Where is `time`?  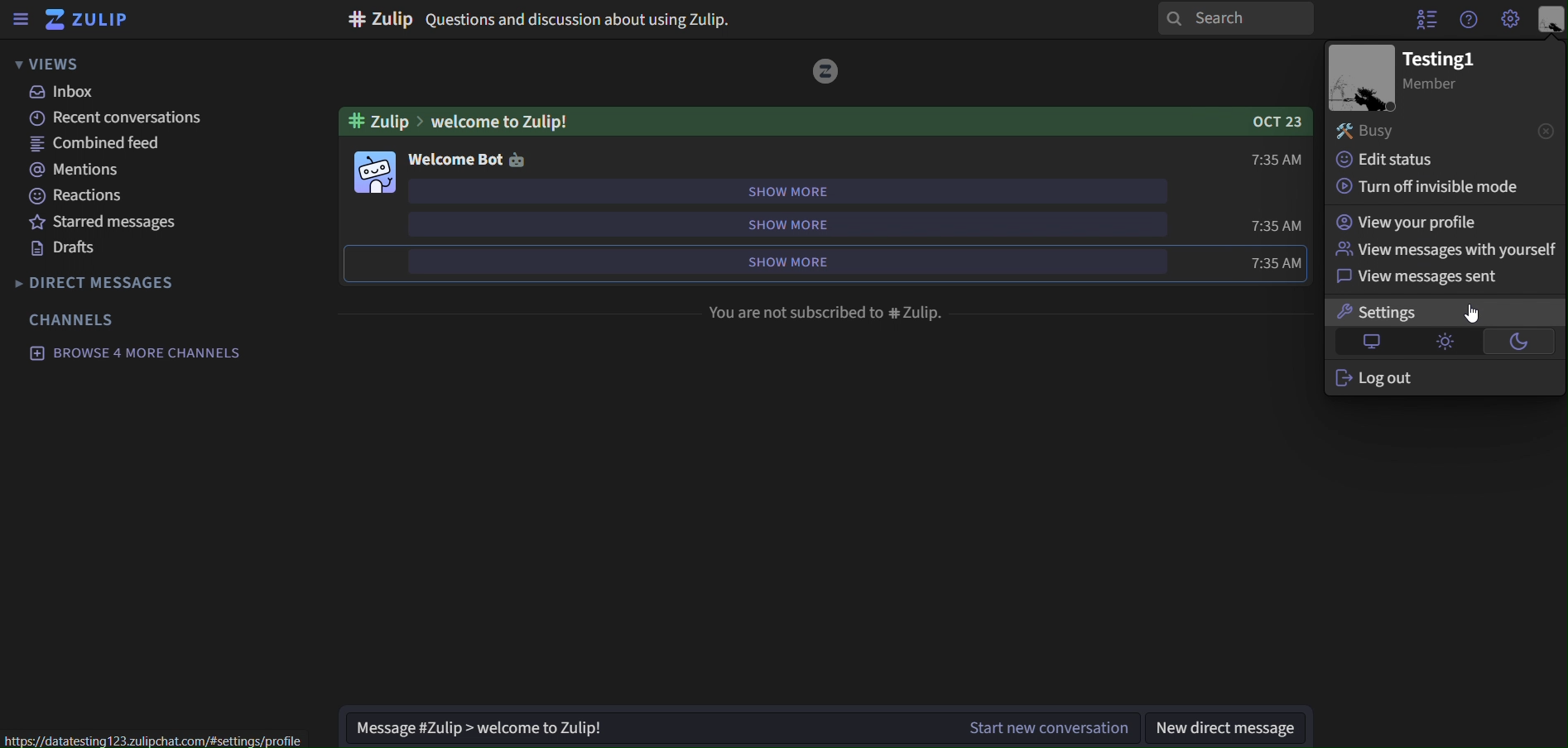 time is located at coordinates (1274, 224).